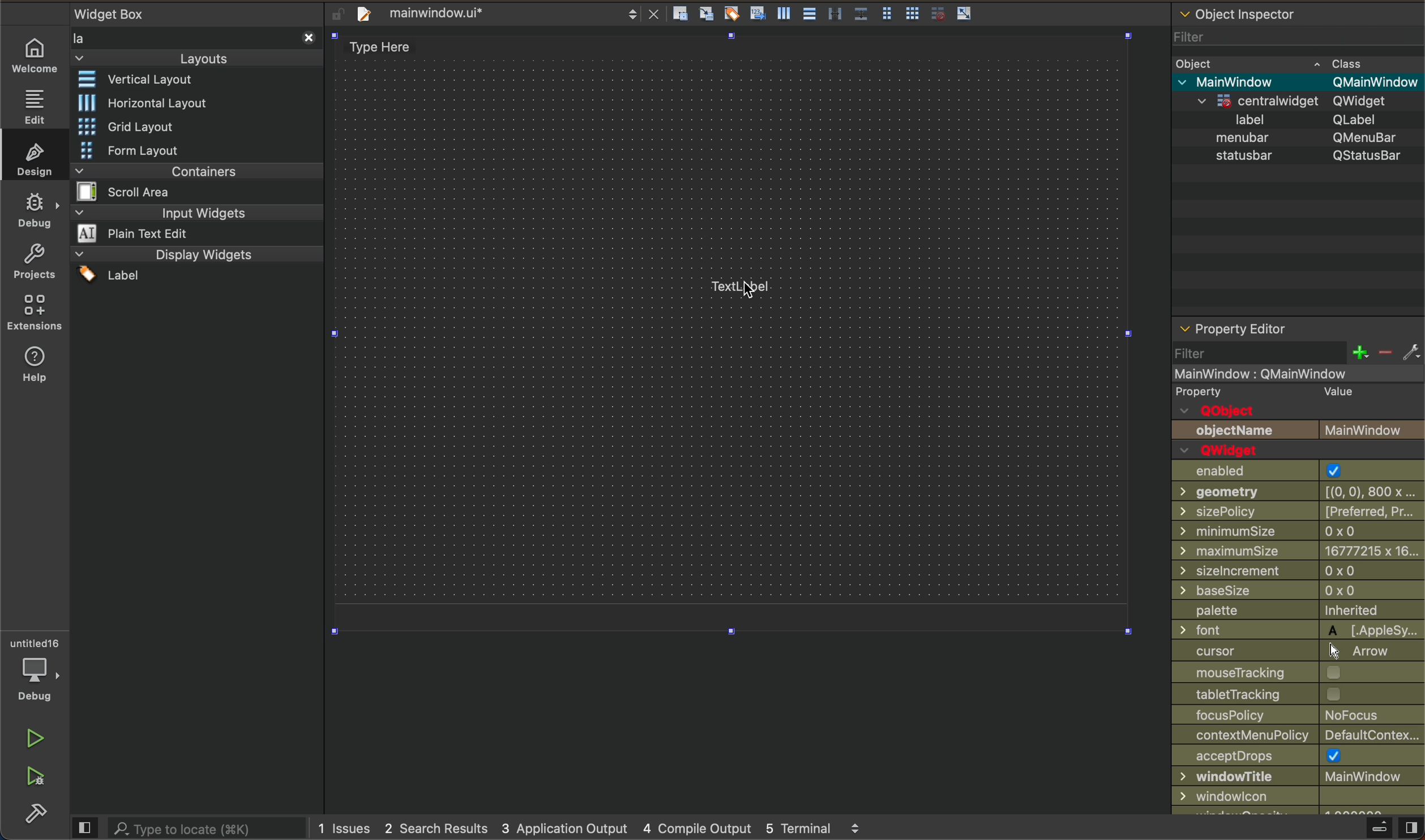  What do you see at coordinates (36, 106) in the screenshot?
I see `editor` at bounding box center [36, 106].